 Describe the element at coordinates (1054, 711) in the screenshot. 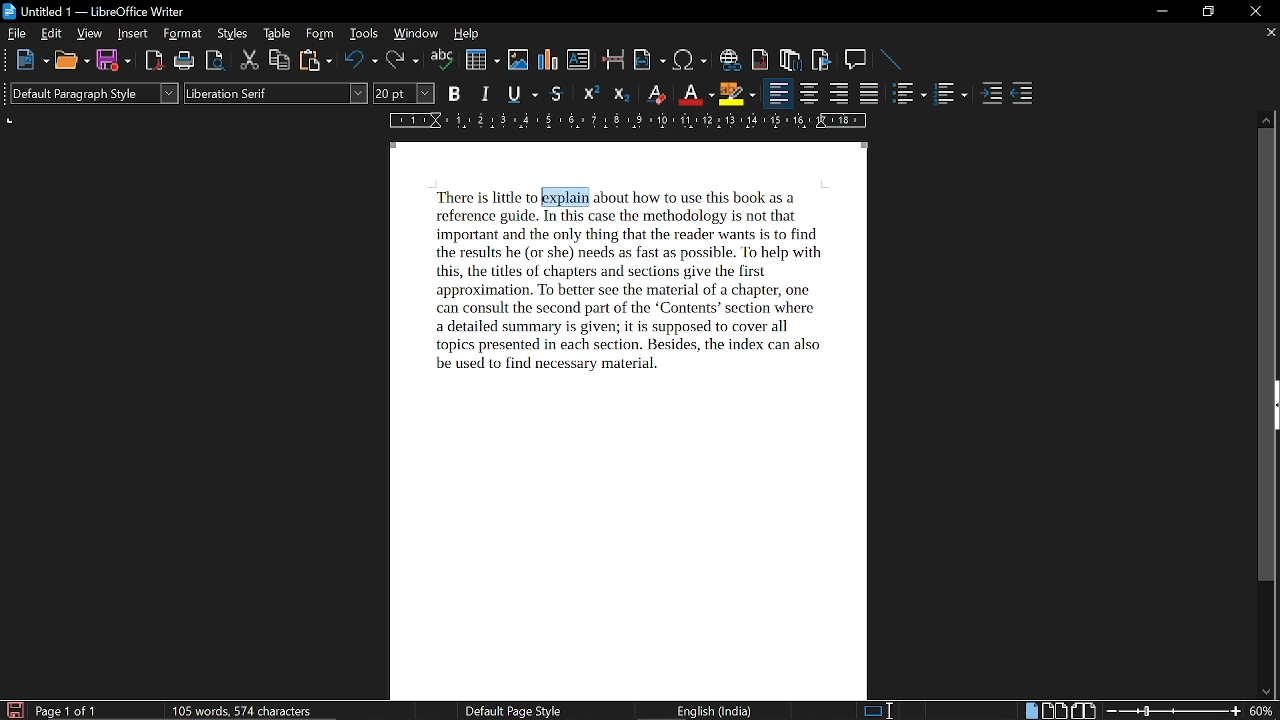

I see `multiple page view` at that location.